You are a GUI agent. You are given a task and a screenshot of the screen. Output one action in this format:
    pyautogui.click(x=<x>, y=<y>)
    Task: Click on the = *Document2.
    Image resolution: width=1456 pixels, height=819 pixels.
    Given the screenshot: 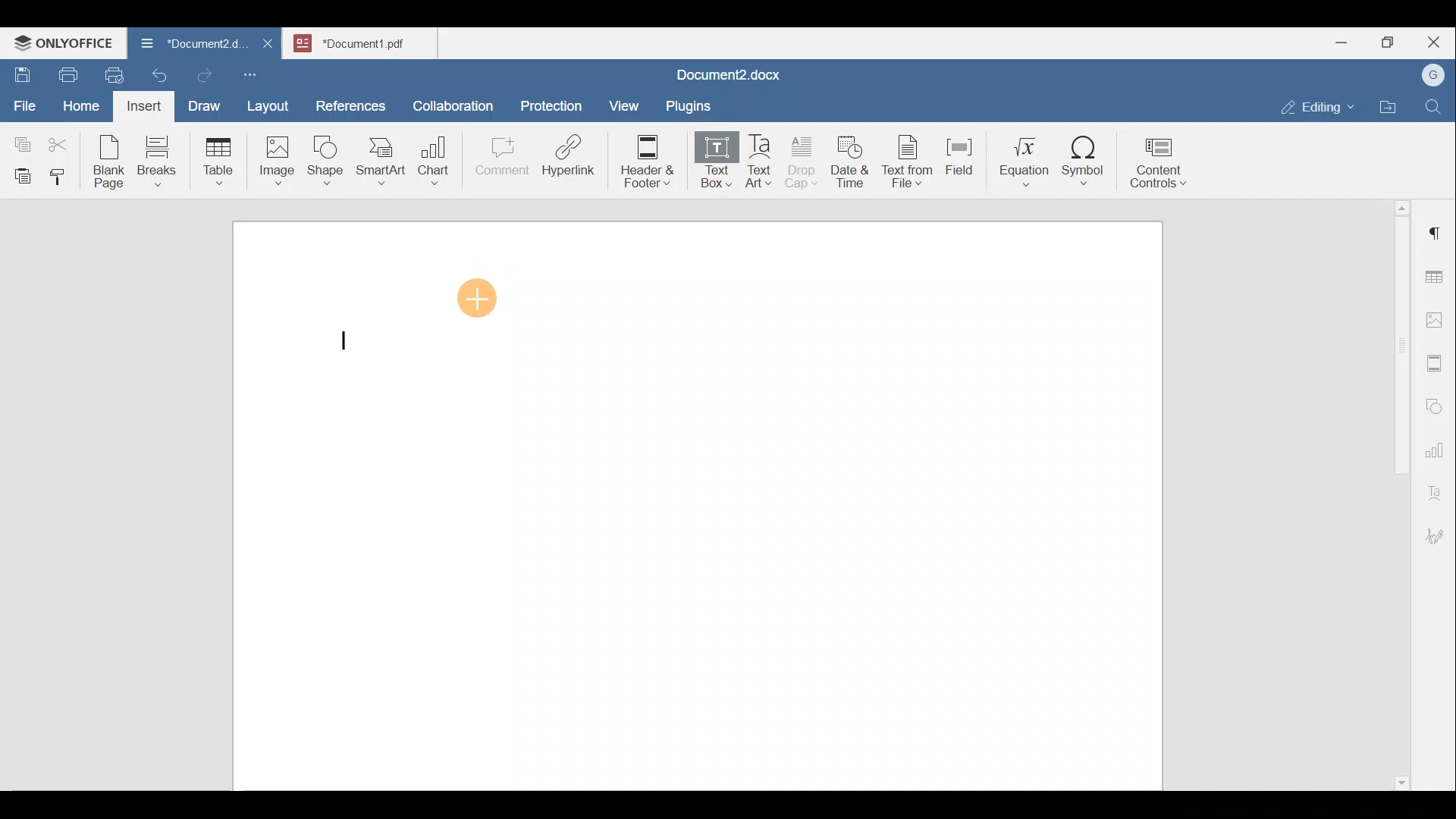 What is the action you would take?
    pyautogui.click(x=192, y=42)
    